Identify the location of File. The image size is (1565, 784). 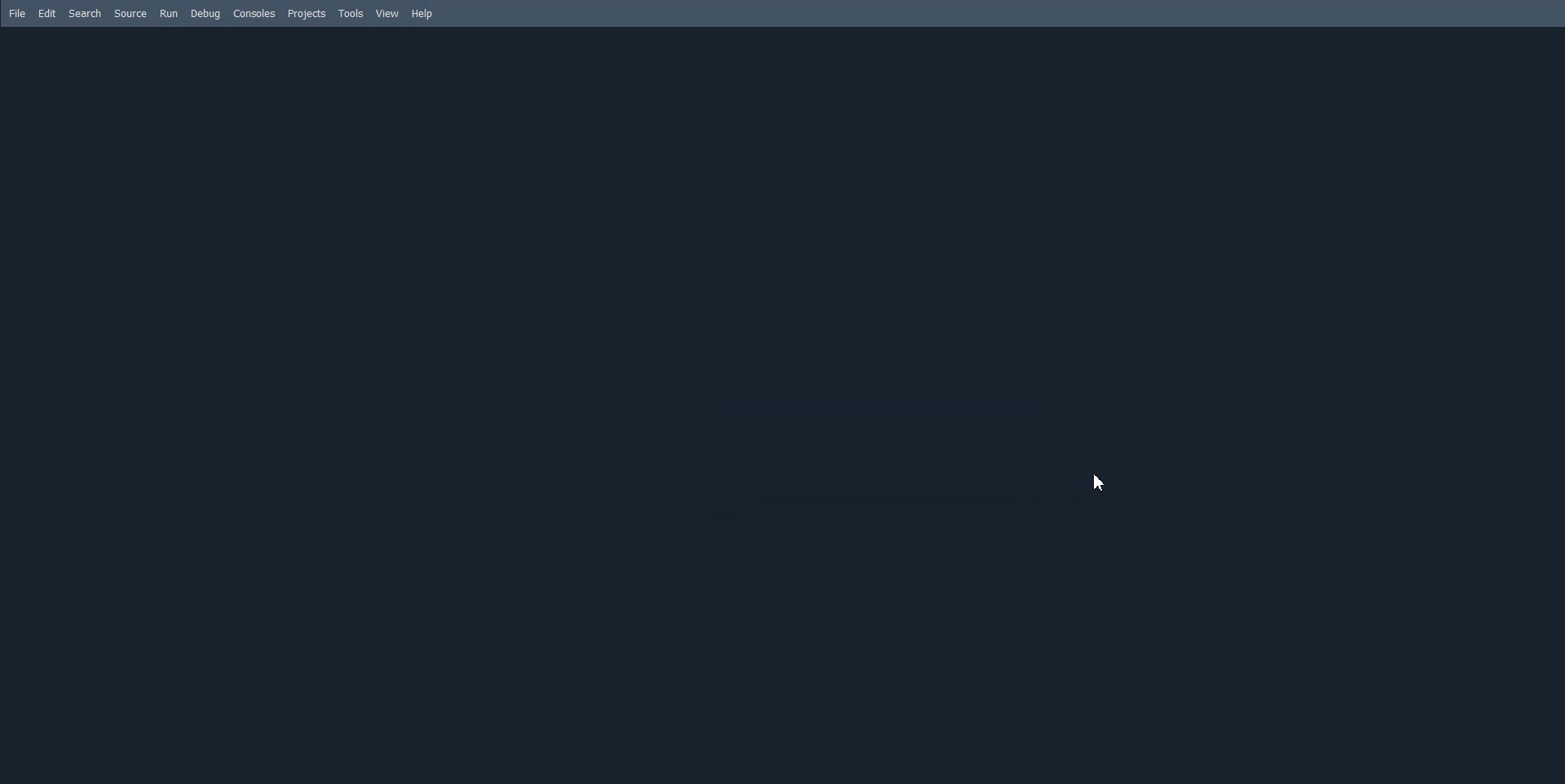
(19, 14).